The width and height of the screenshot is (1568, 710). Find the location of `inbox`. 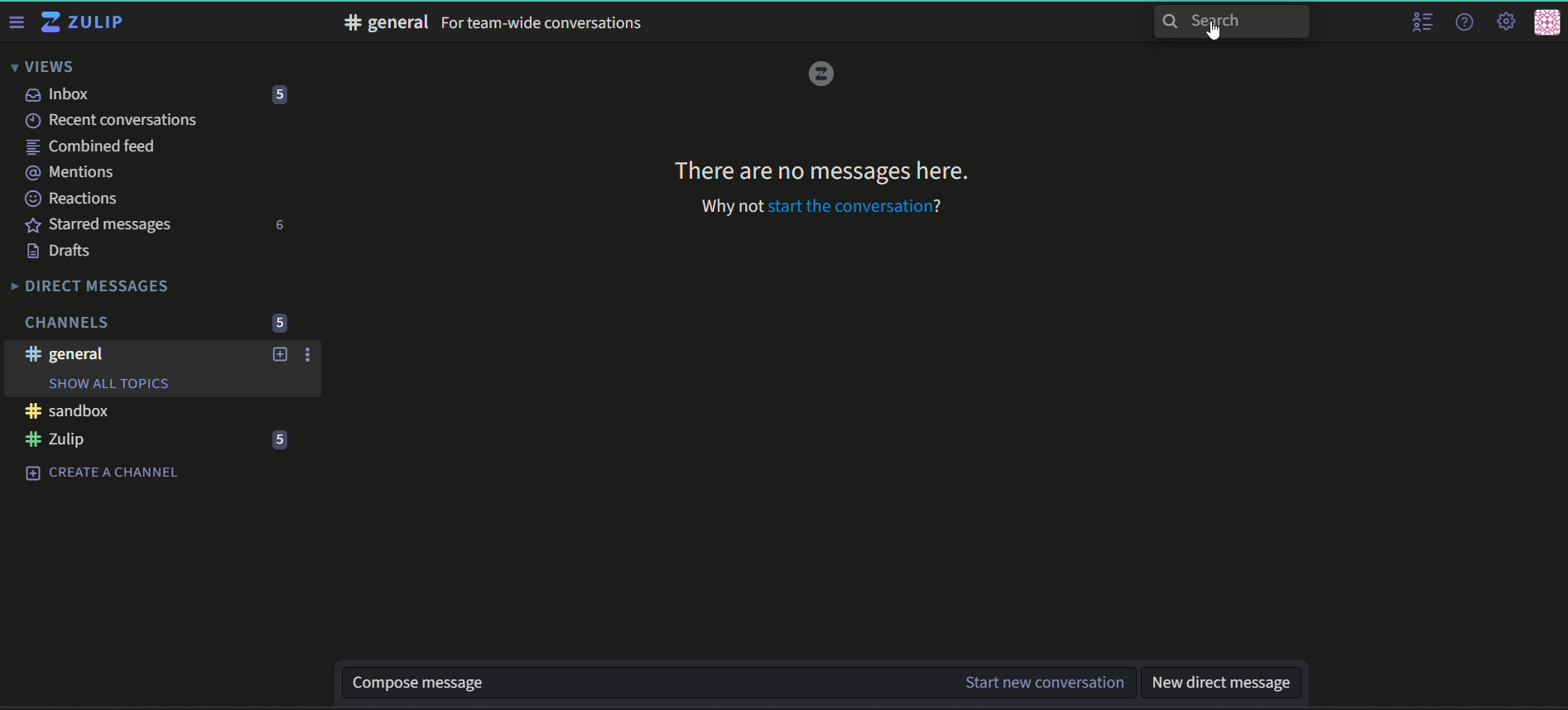

inbox is located at coordinates (60, 94).